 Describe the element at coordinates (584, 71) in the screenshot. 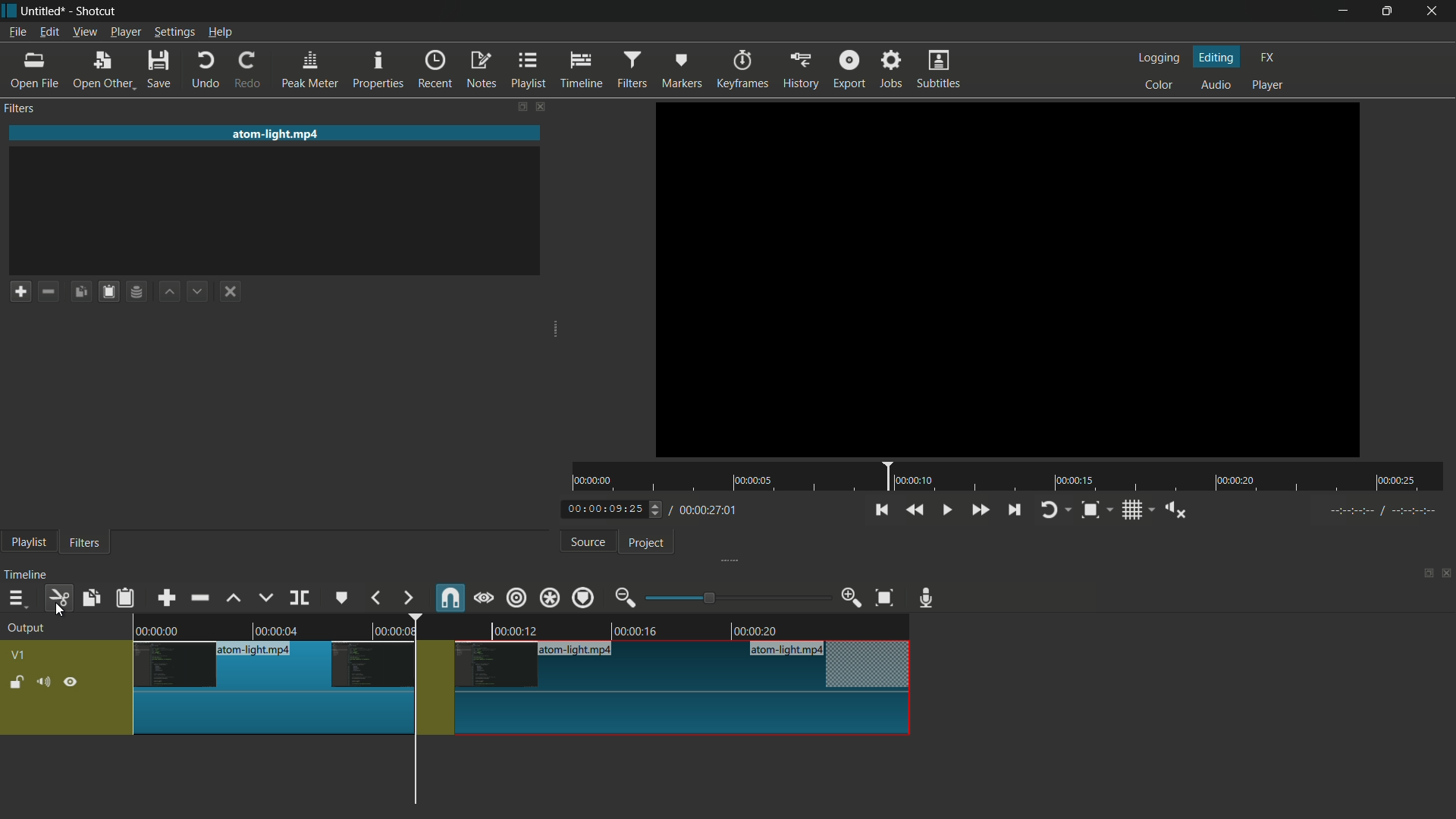

I see `timeline` at that location.